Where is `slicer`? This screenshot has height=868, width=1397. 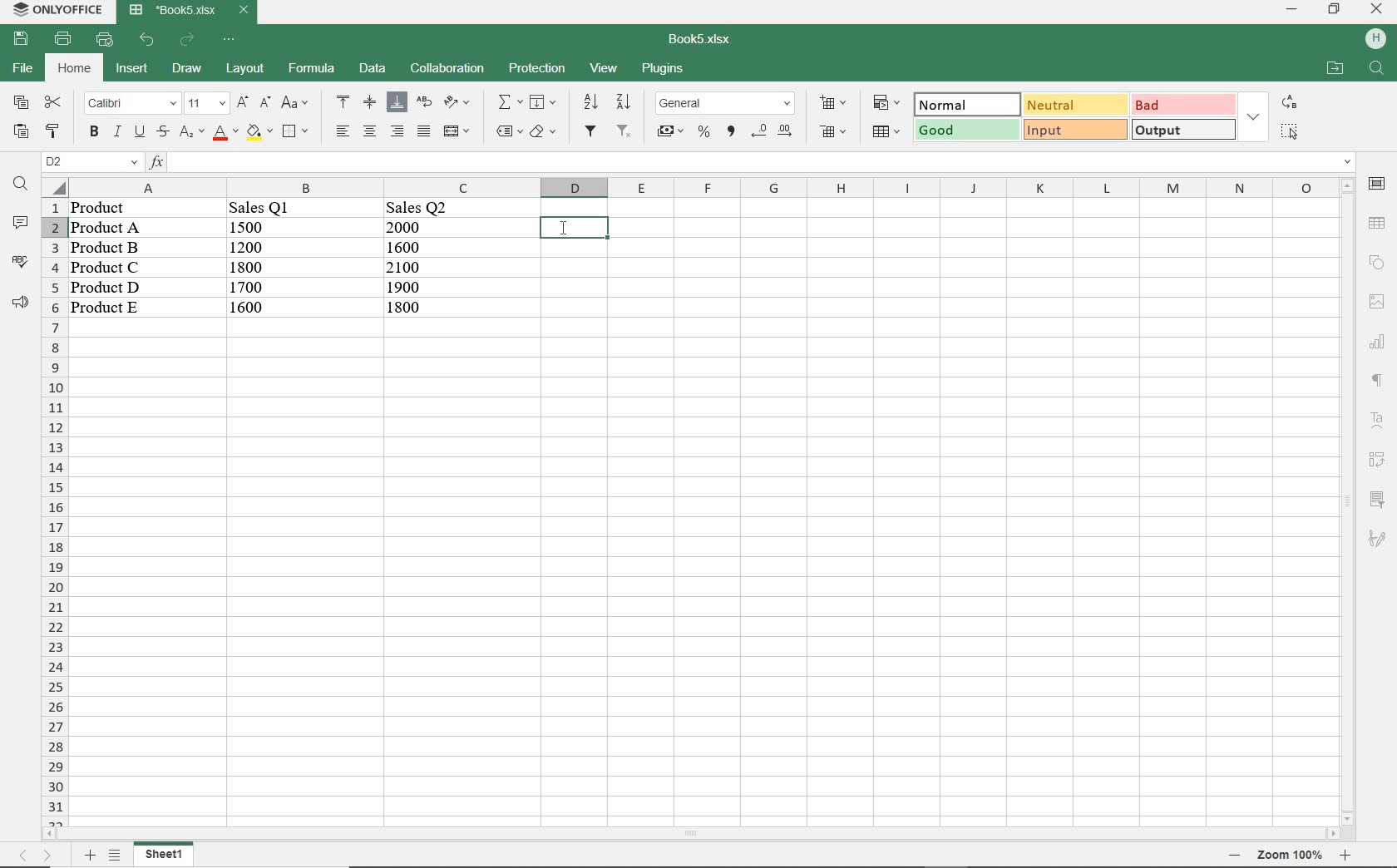 slicer is located at coordinates (1377, 499).